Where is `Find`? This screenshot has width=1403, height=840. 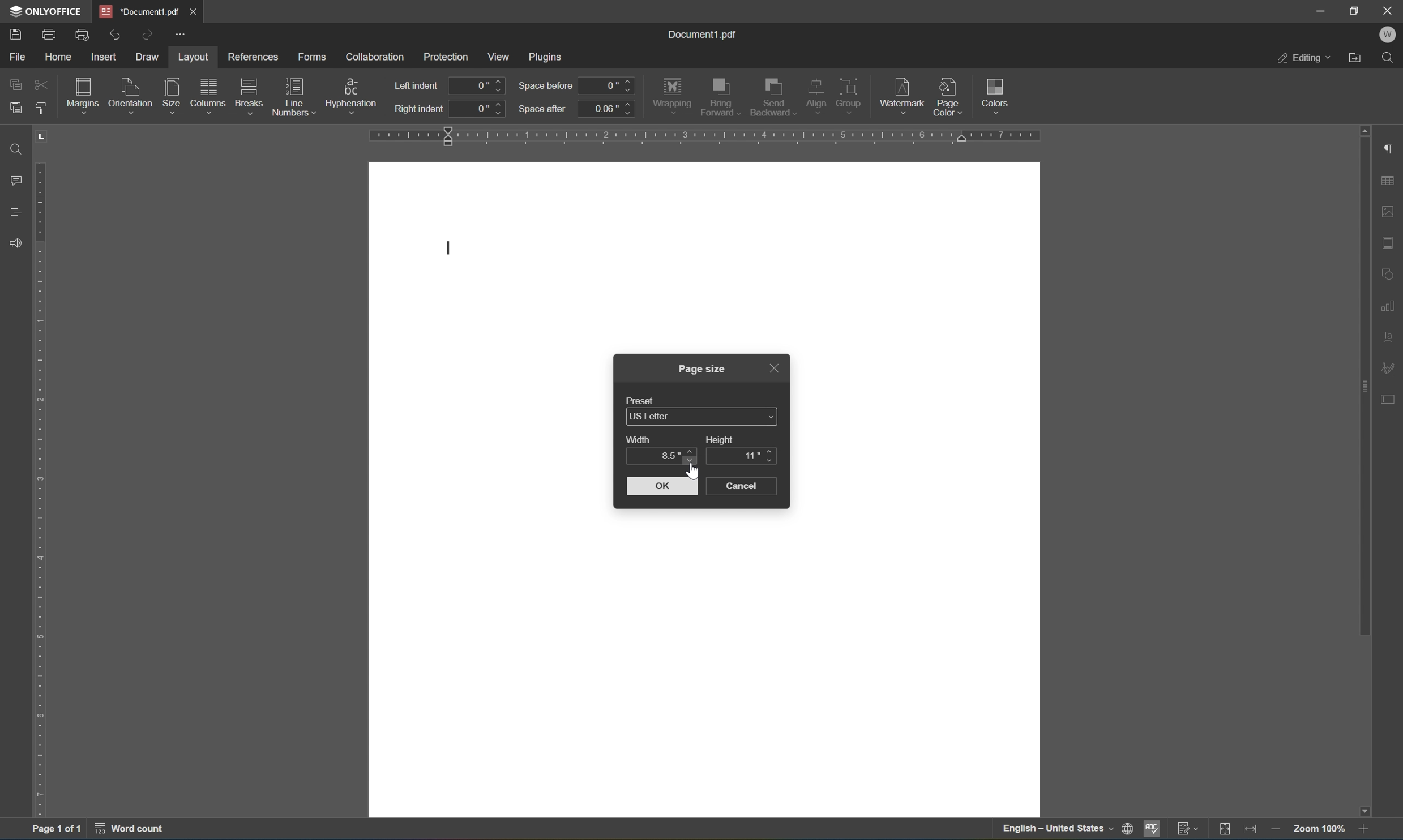
Find is located at coordinates (13, 148).